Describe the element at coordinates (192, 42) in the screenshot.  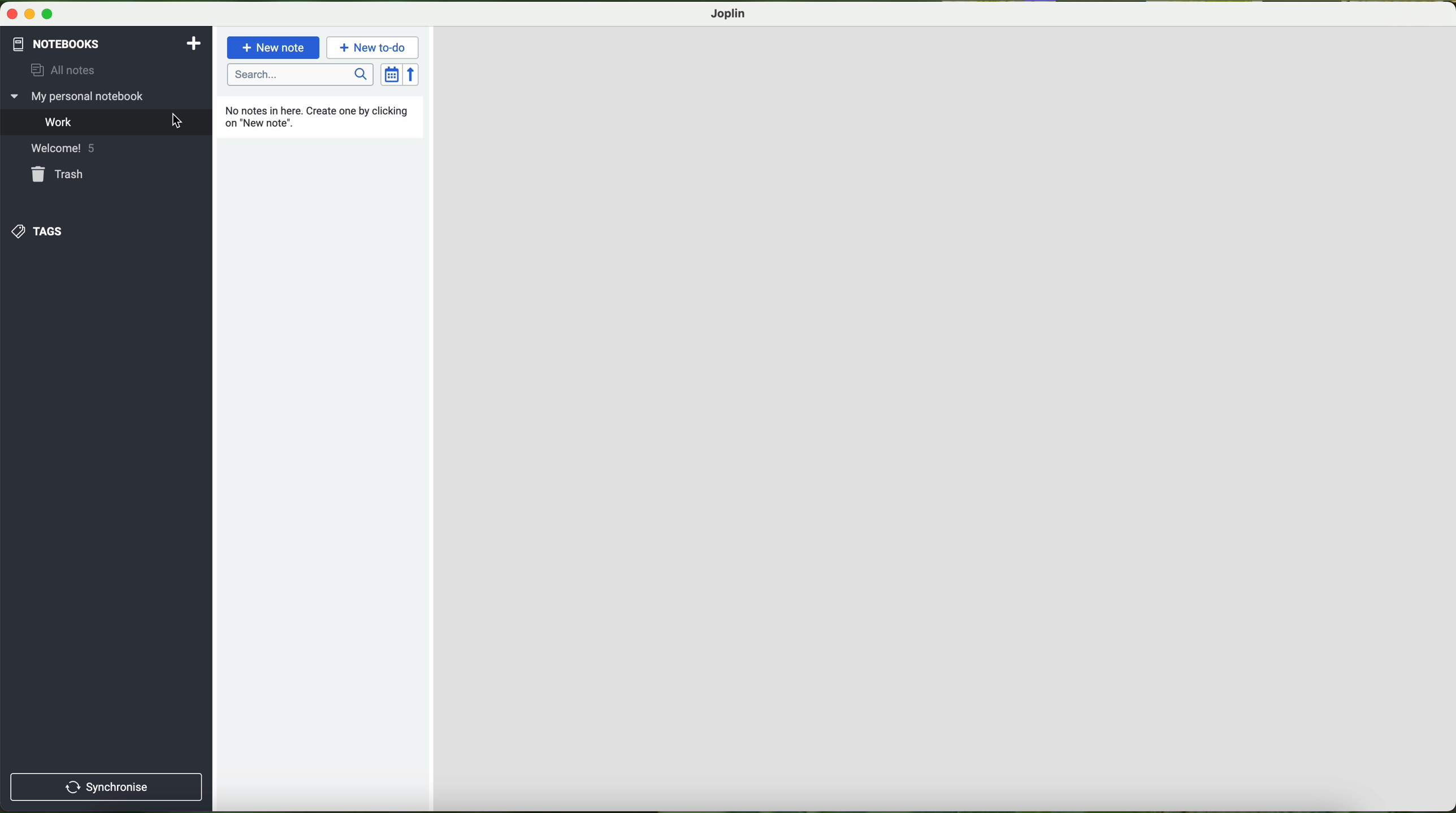
I see `add notebooks` at that location.